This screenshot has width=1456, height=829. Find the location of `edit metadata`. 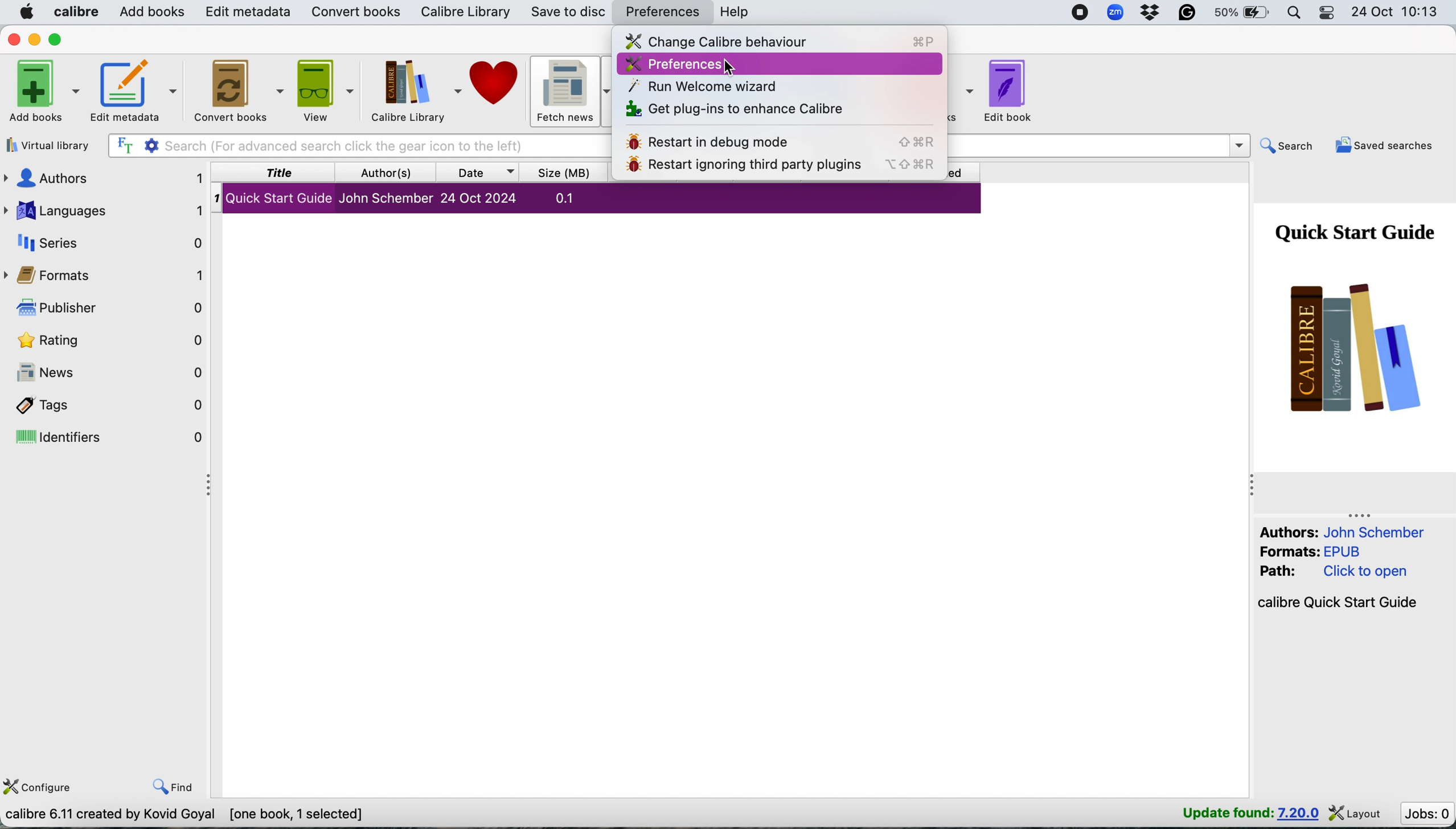

edit metadata is located at coordinates (247, 13).